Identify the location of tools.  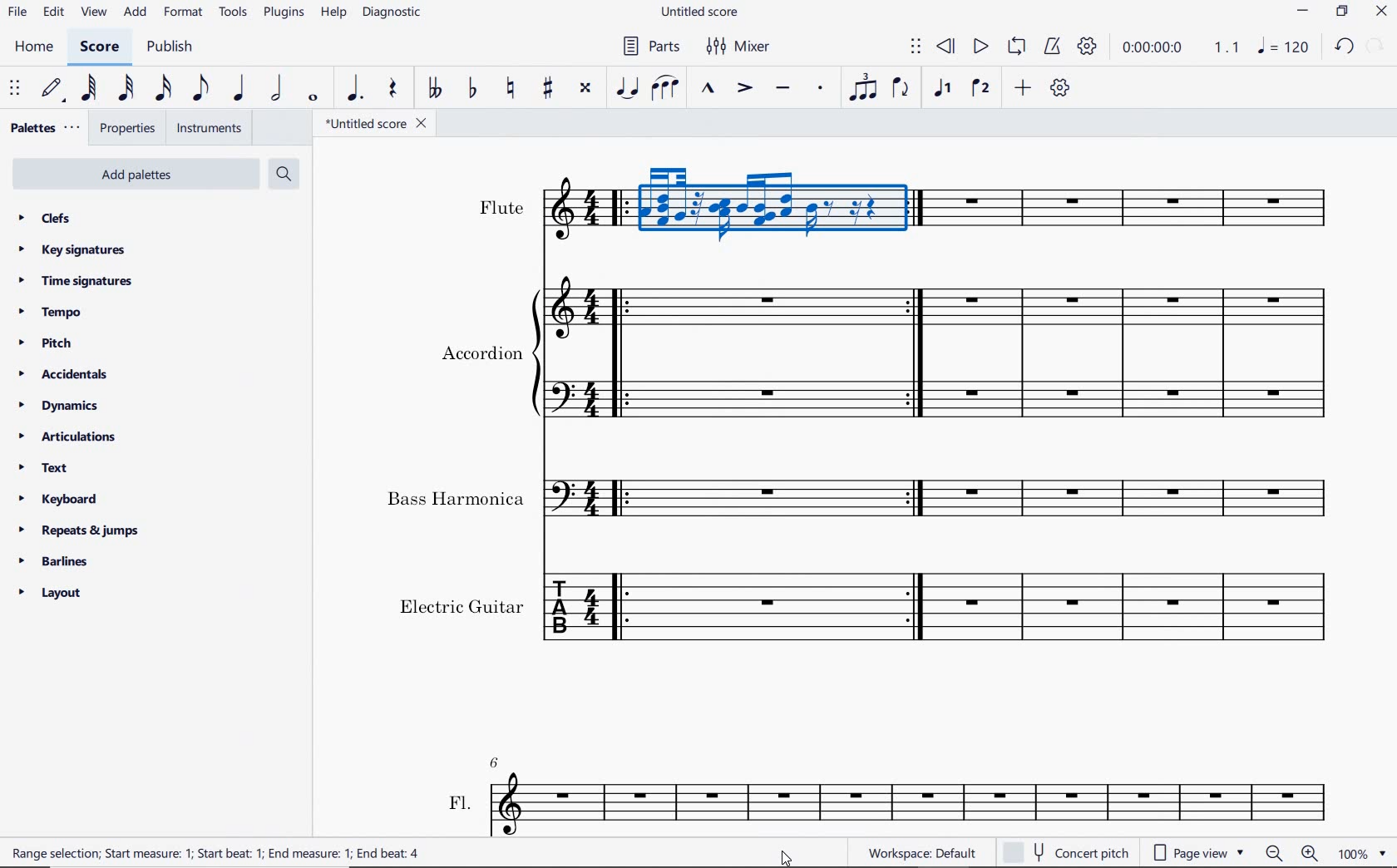
(235, 13).